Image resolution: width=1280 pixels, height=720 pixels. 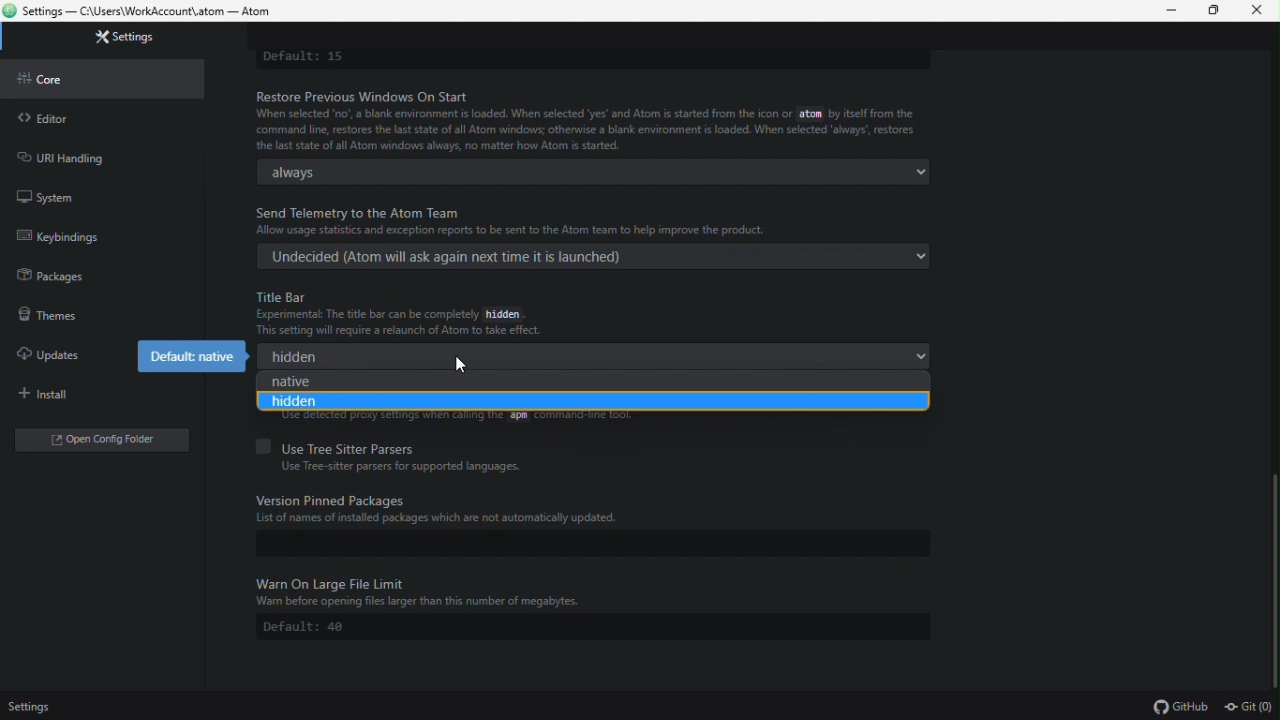 What do you see at coordinates (587, 384) in the screenshot?
I see `native` at bounding box center [587, 384].